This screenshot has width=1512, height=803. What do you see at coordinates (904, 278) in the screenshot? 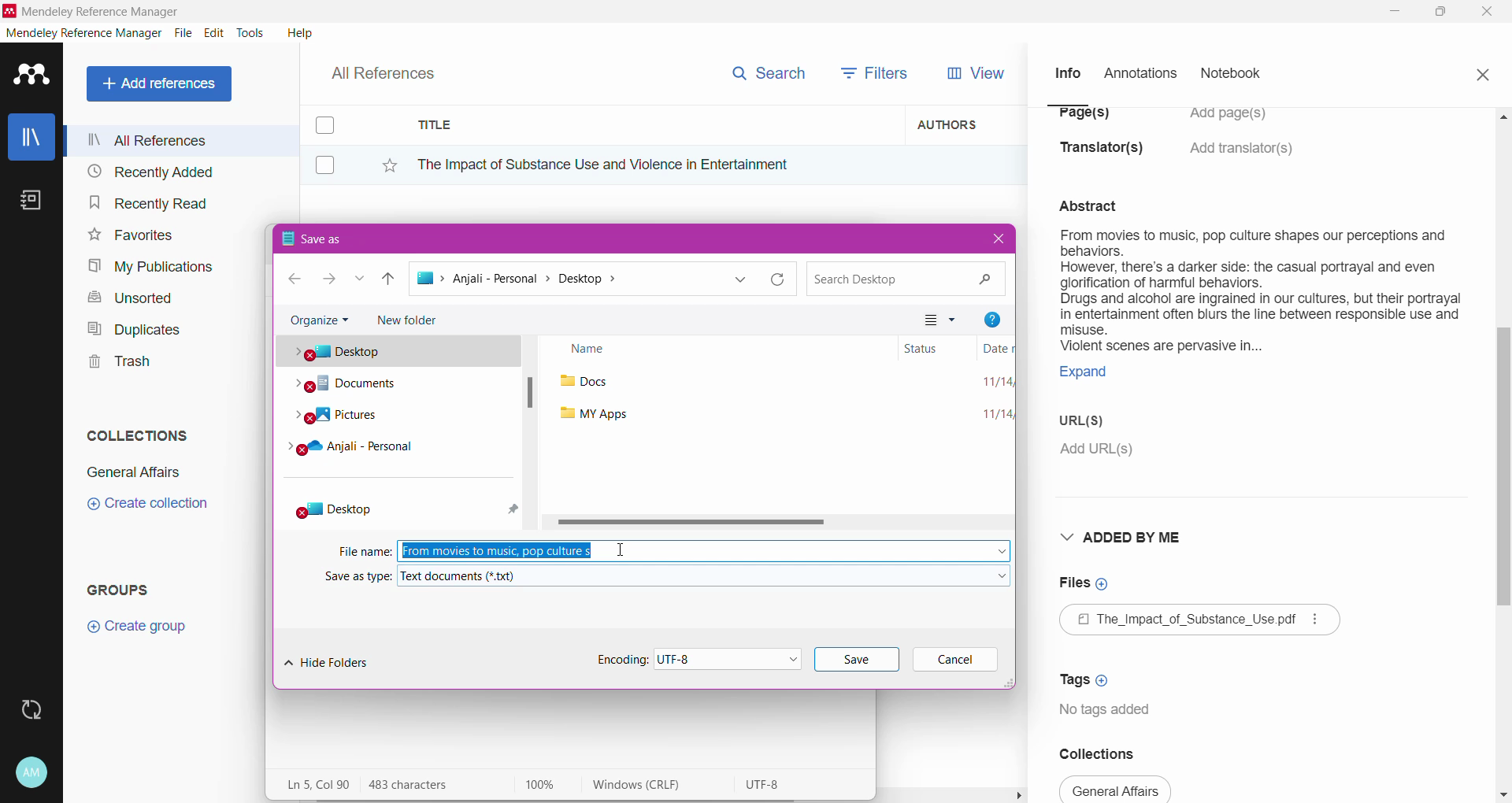
I see `Search current path` at bounding box center [904, 278].